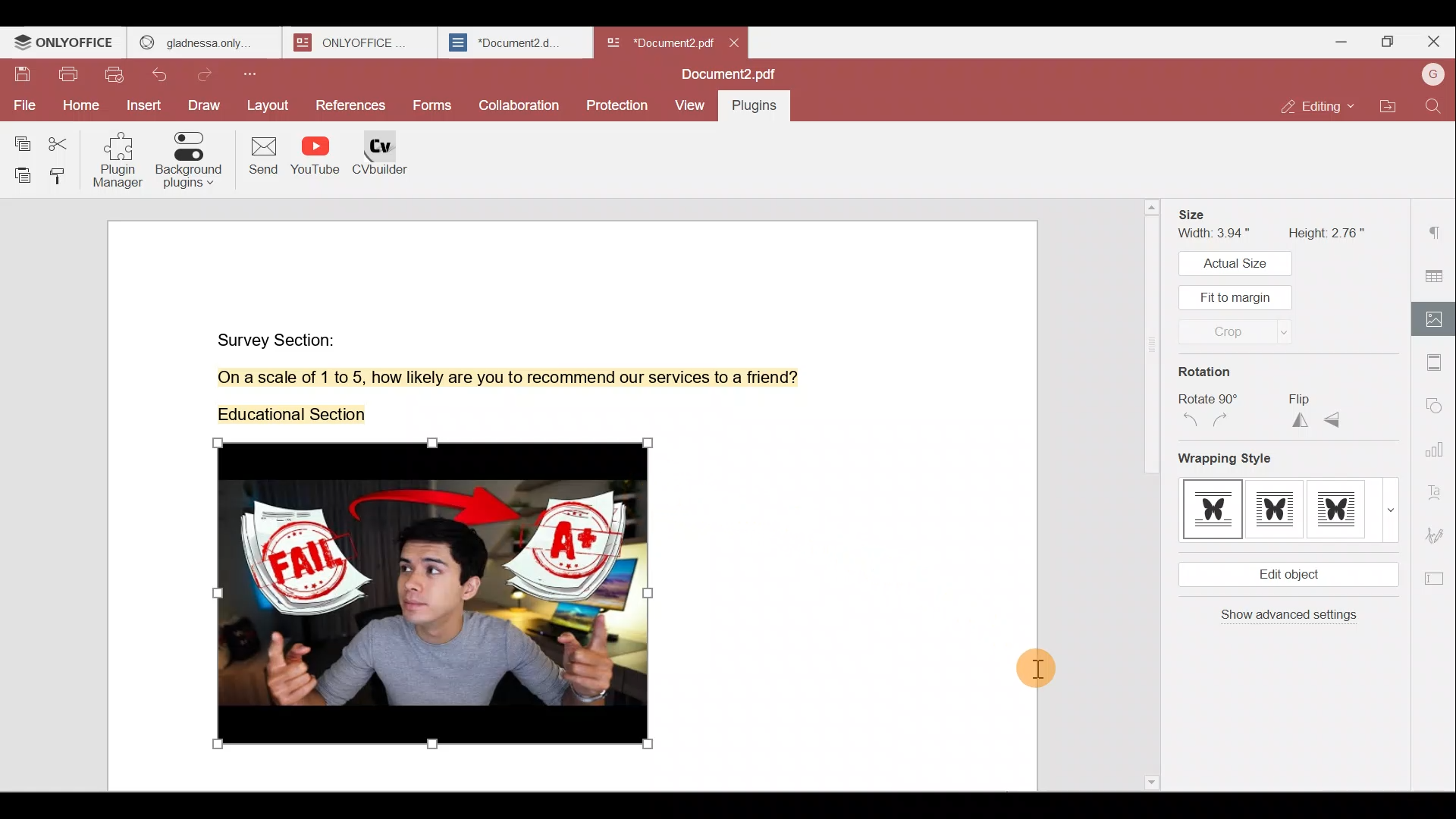 The height and width of the screenshot is (819, 1456). I want to click on Height, so click(1324, 229).